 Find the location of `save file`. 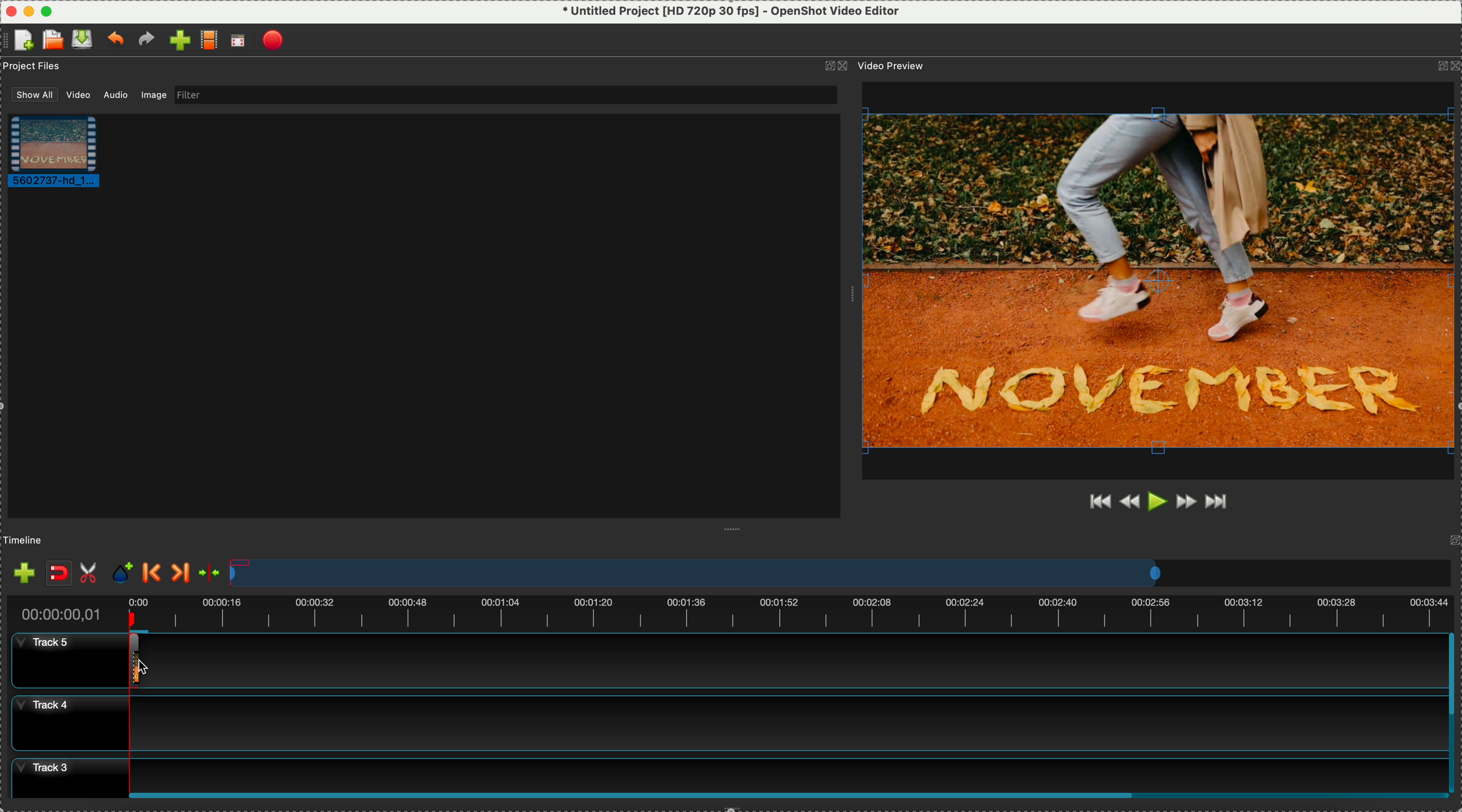

save file is located at coordinates (83, 39).